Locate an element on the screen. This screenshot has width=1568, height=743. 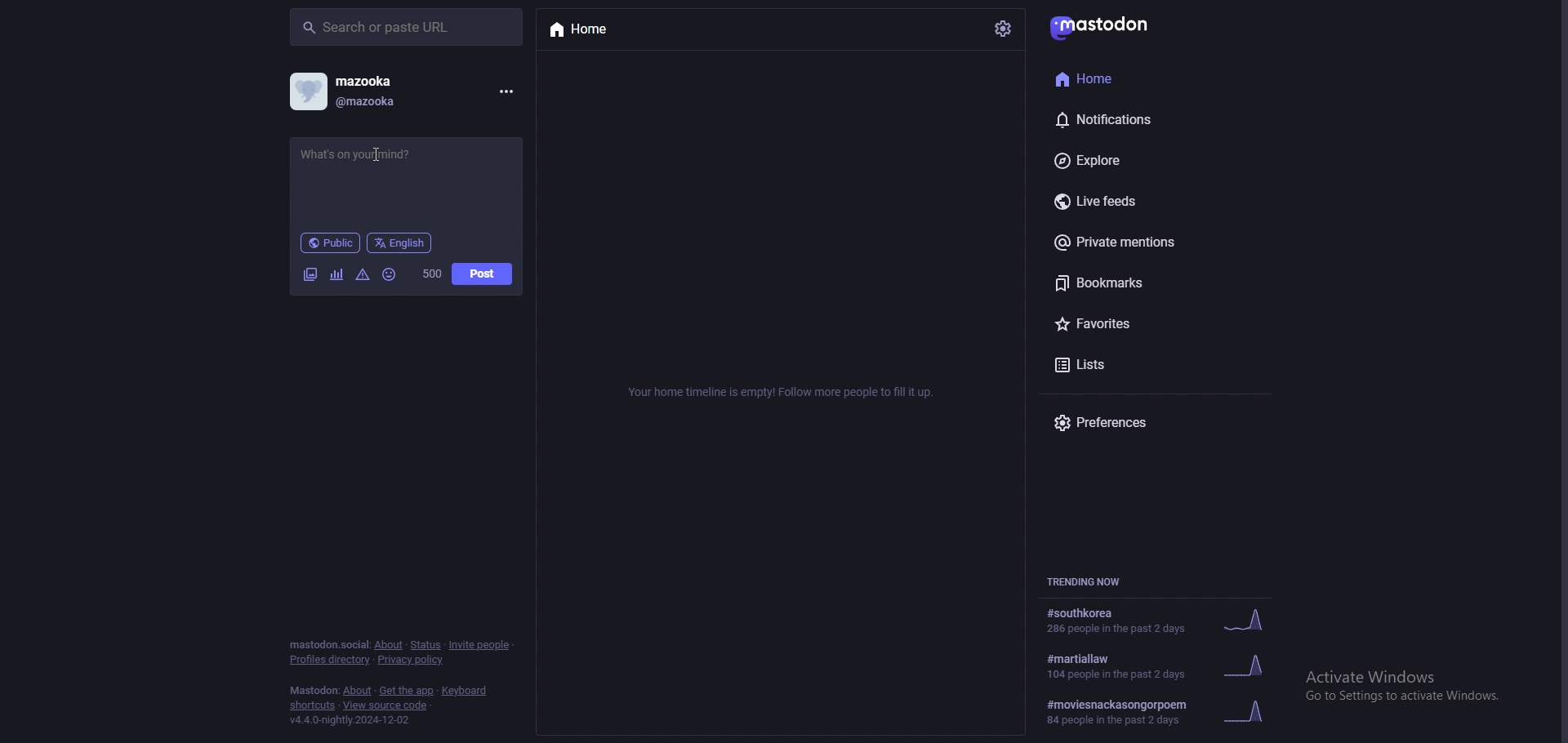
status is located at coordinates (424, 646).